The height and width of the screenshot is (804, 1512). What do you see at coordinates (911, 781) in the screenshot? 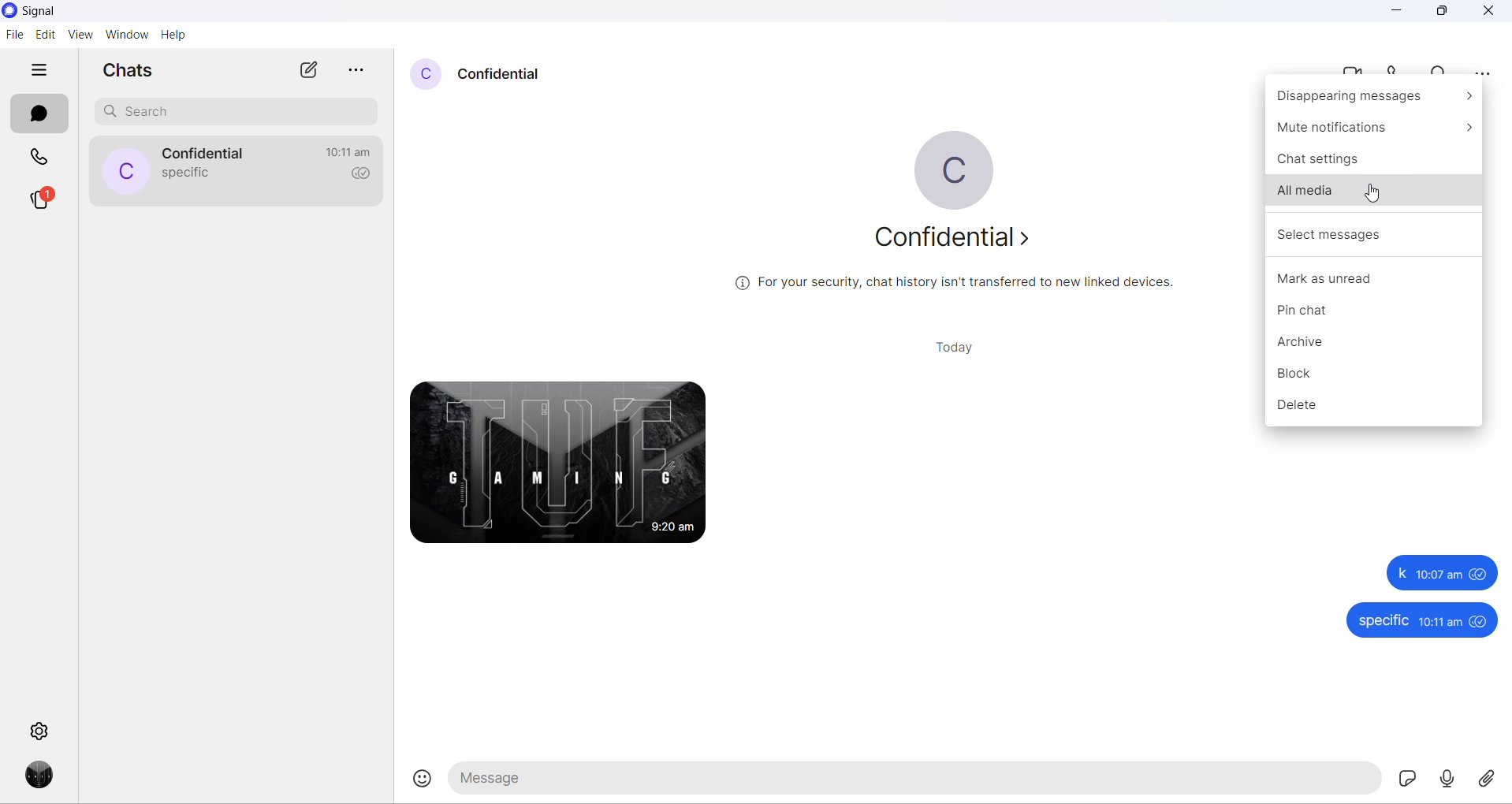
I see `message text area` at bounding box center [911, 781].